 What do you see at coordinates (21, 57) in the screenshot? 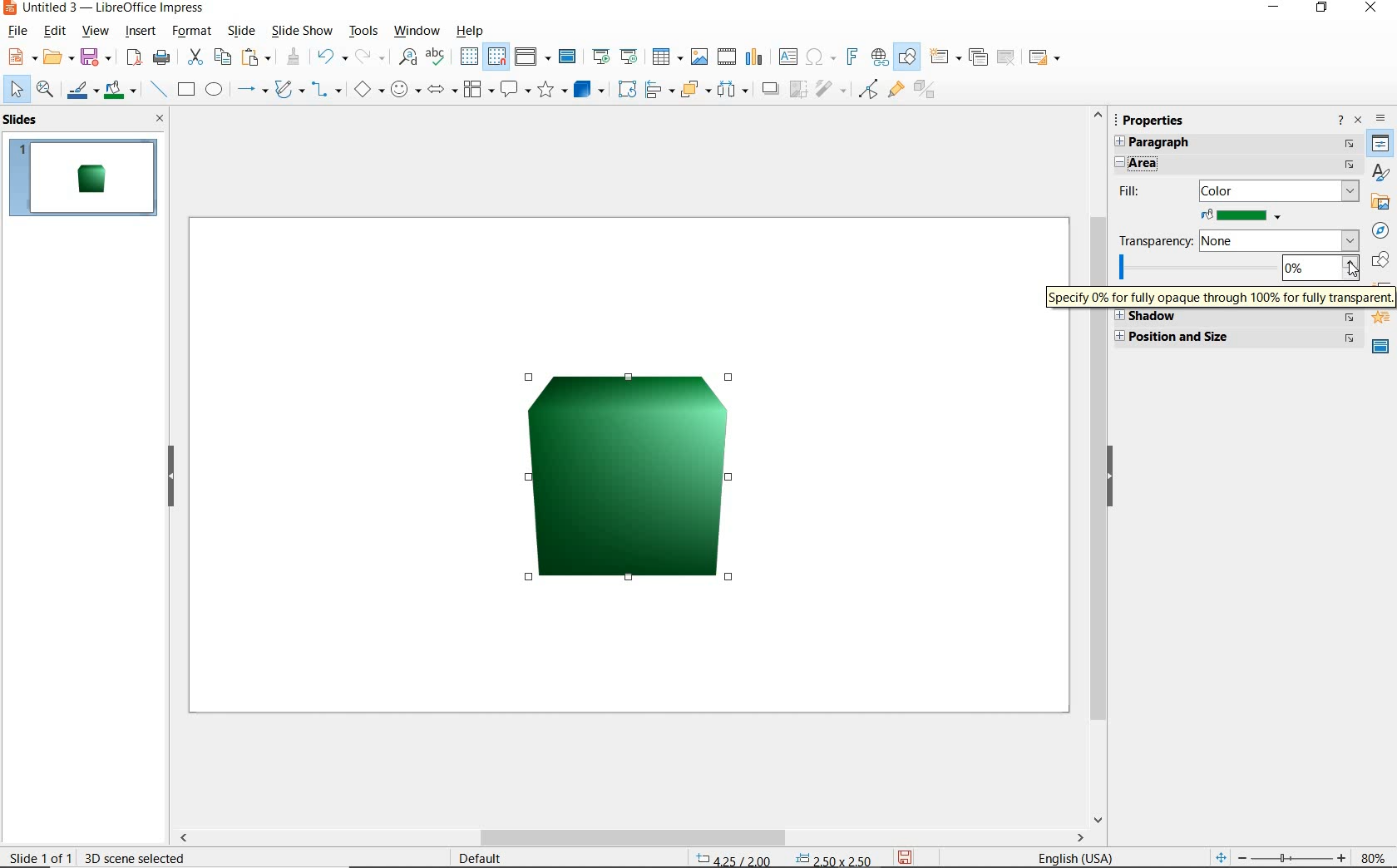
I see `new` at bounding box center [21, 57].